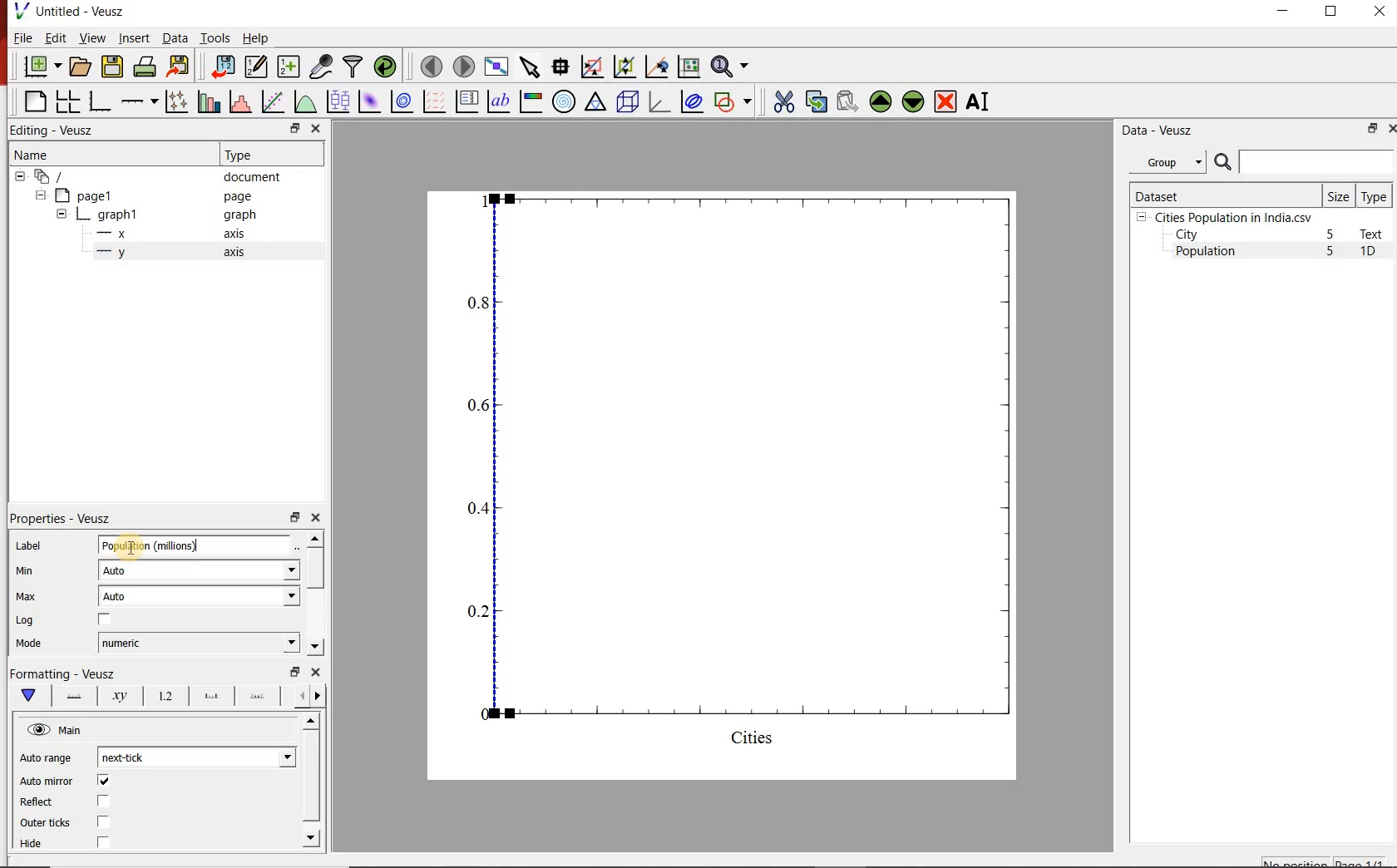 This screenshot has height=868, width=1397. Describe the element at coordinates (89, 37) in the screenshot. I see `View` at that location.